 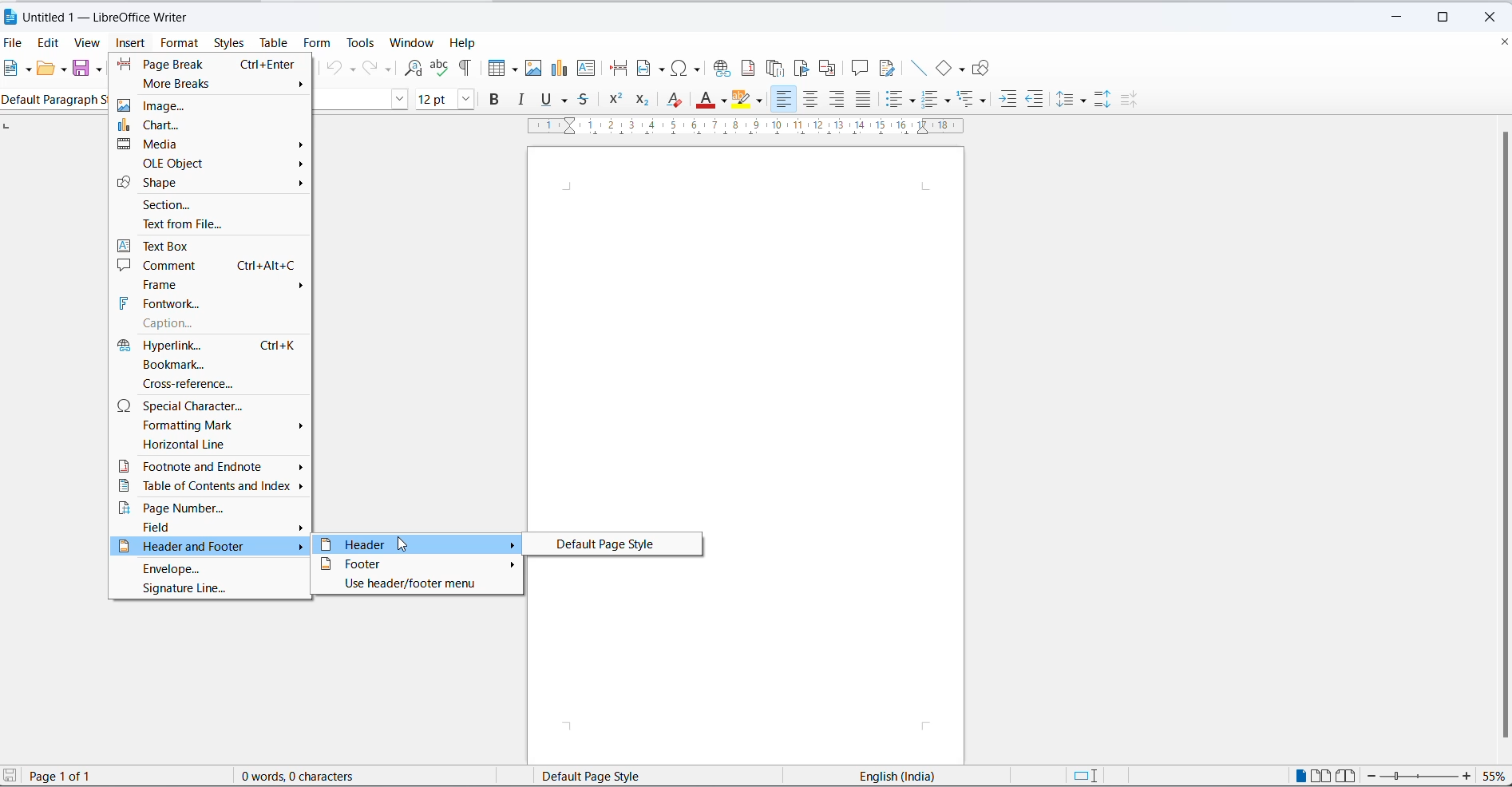 What do you see at coordinates (465, 42) in the screenshot?
I see `help` at bounding box center [465, 42].